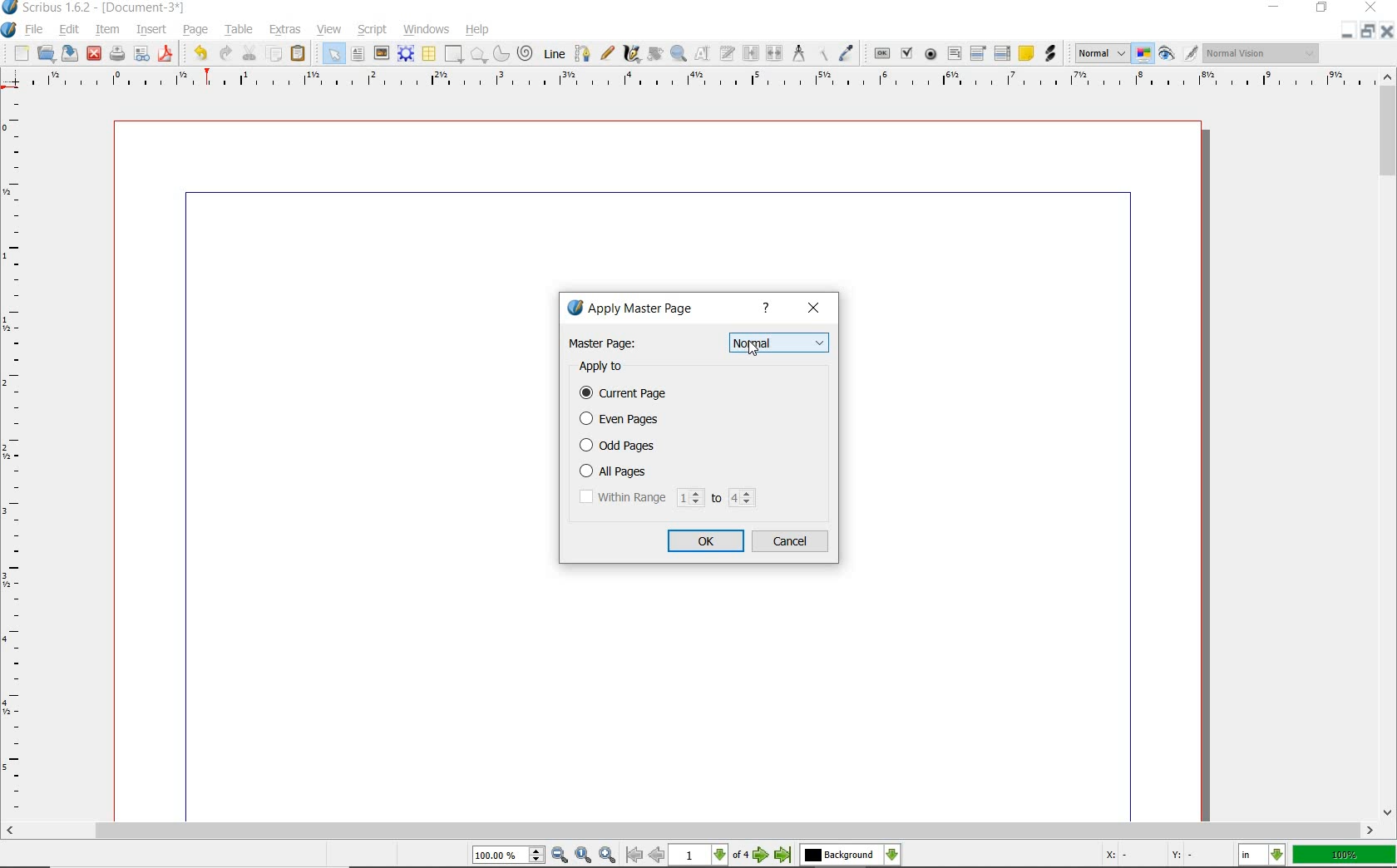 The width and height of the screenshot is (1397, 868). What do you see at coordinates (223, 52) in the screenshot?
I see `redo` at bounding box center [223, 52].